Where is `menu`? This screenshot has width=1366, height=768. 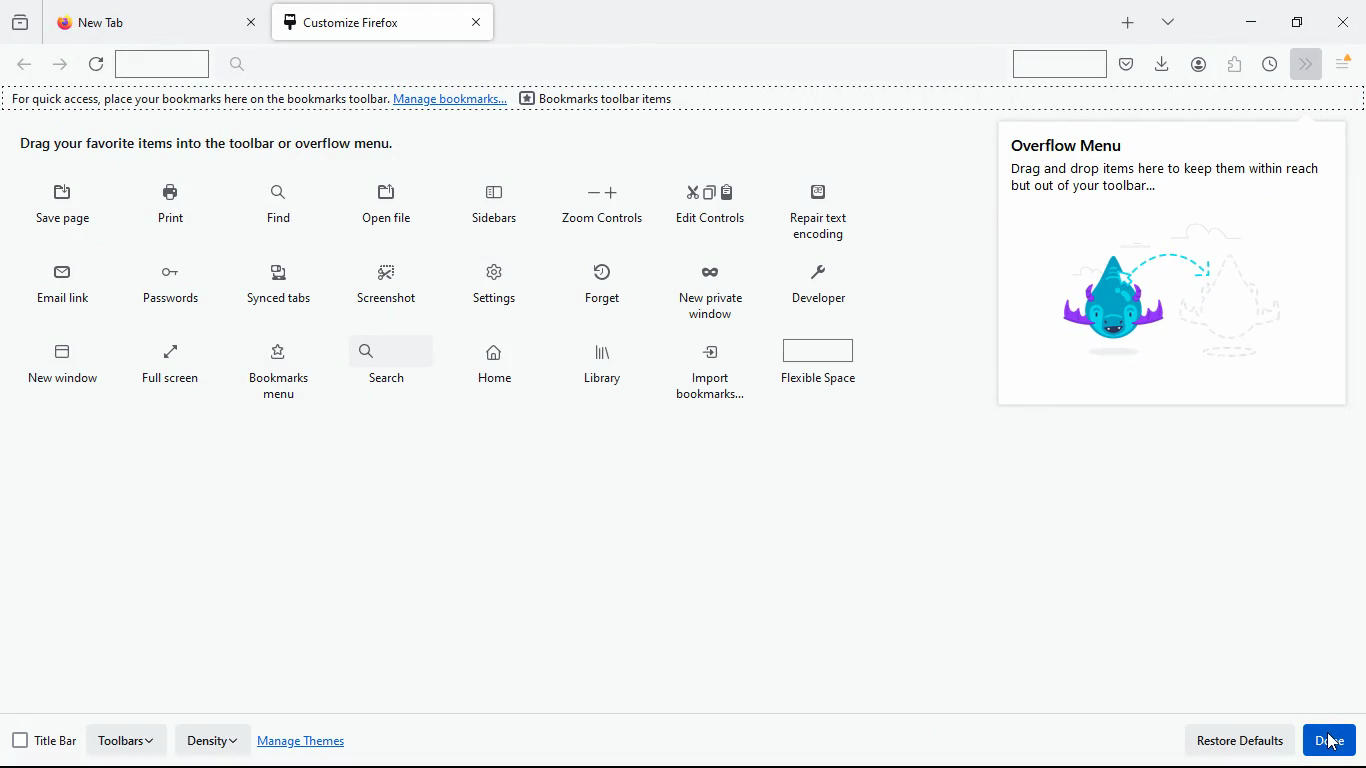 menu is located at coordinates (1344, 64).